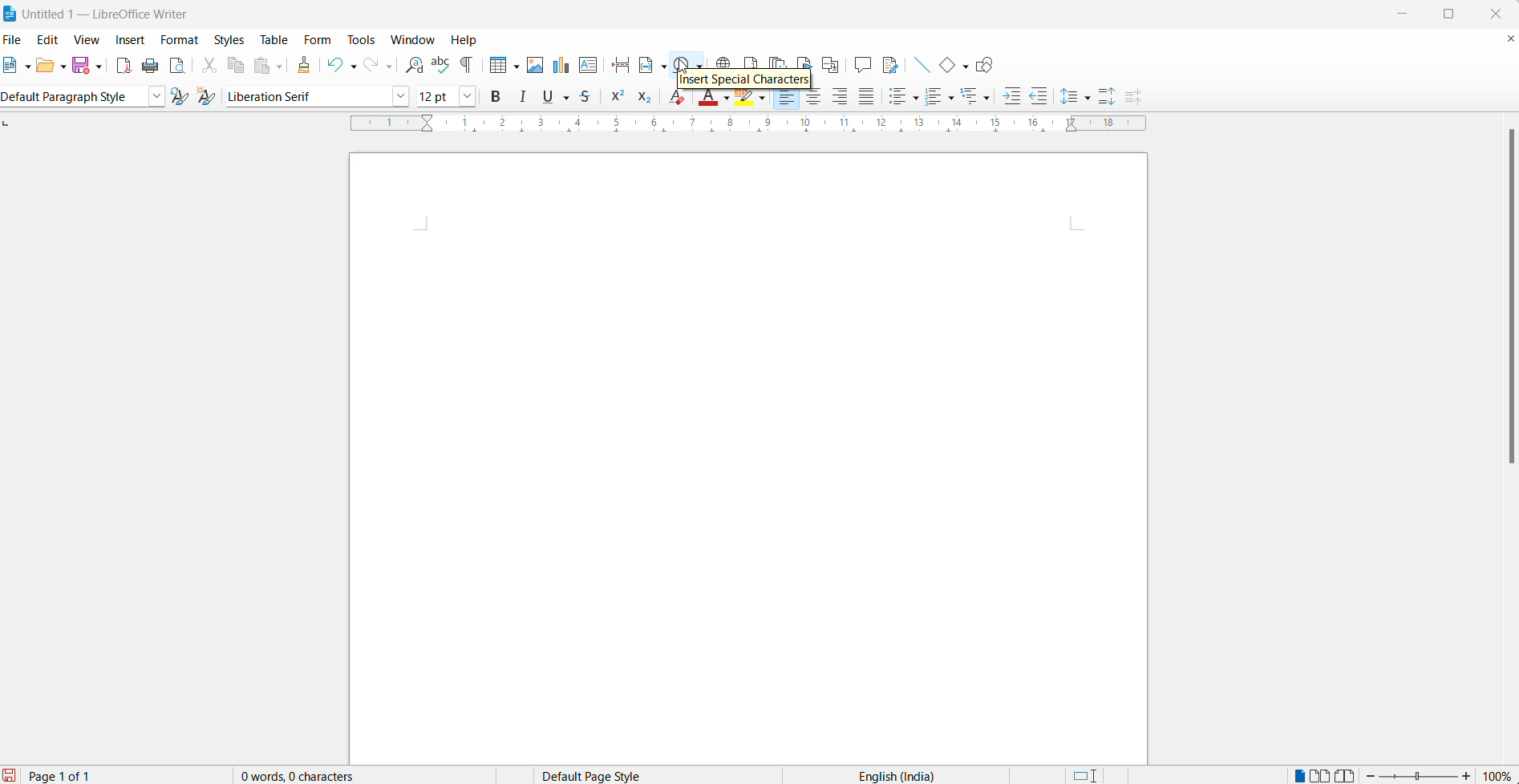 Image resolution: width=1519 pixels, height=784 pixels. What do you see at coordinates (642, 66) in the screenshot?
I see `insert field icon` at bounding box center [642, 66].